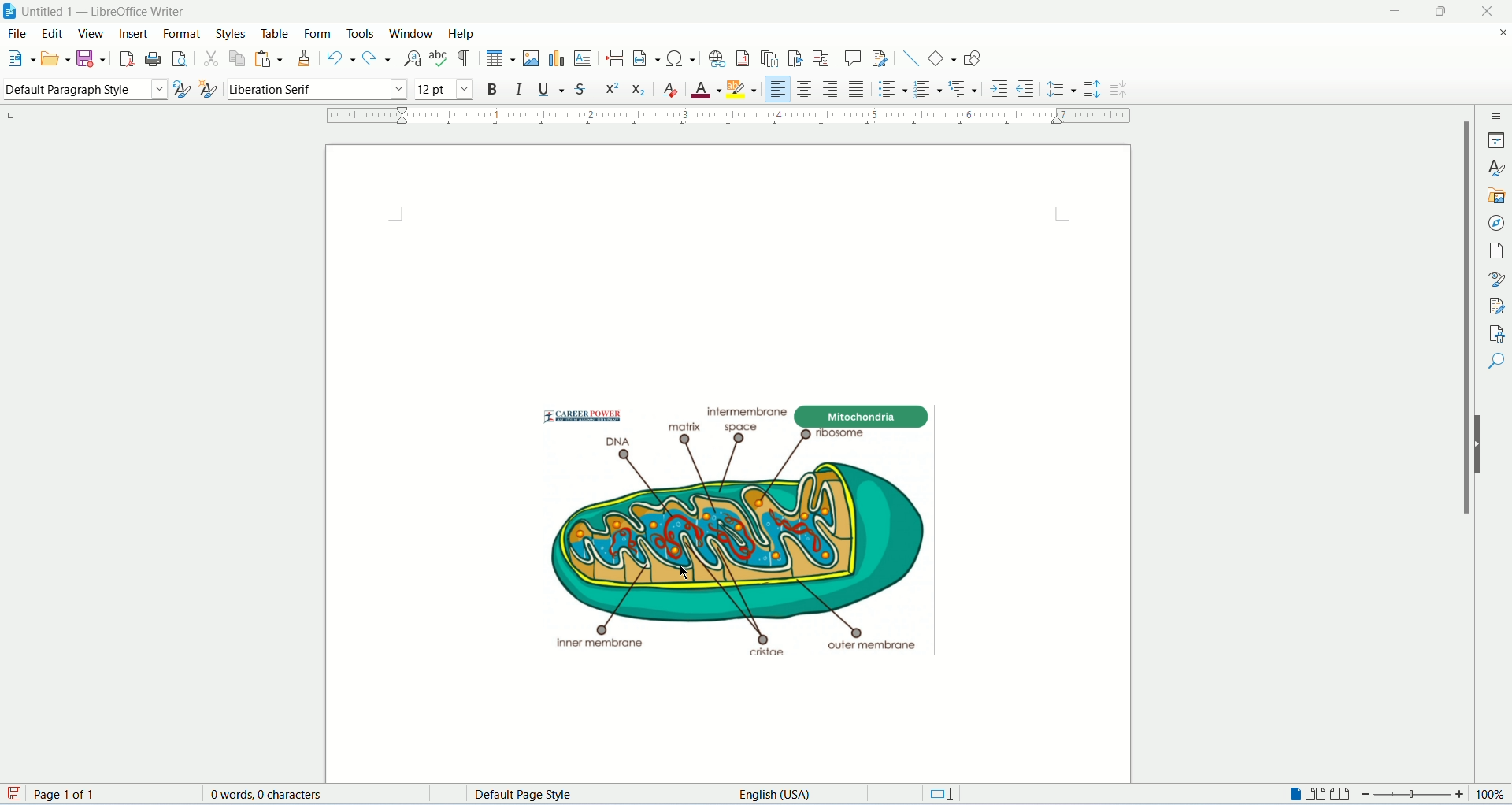 The image size is (1512, 805). What do you see at coordinates (90, 59) in the screenshot?
I see `save` at bounding box center [90, 59].